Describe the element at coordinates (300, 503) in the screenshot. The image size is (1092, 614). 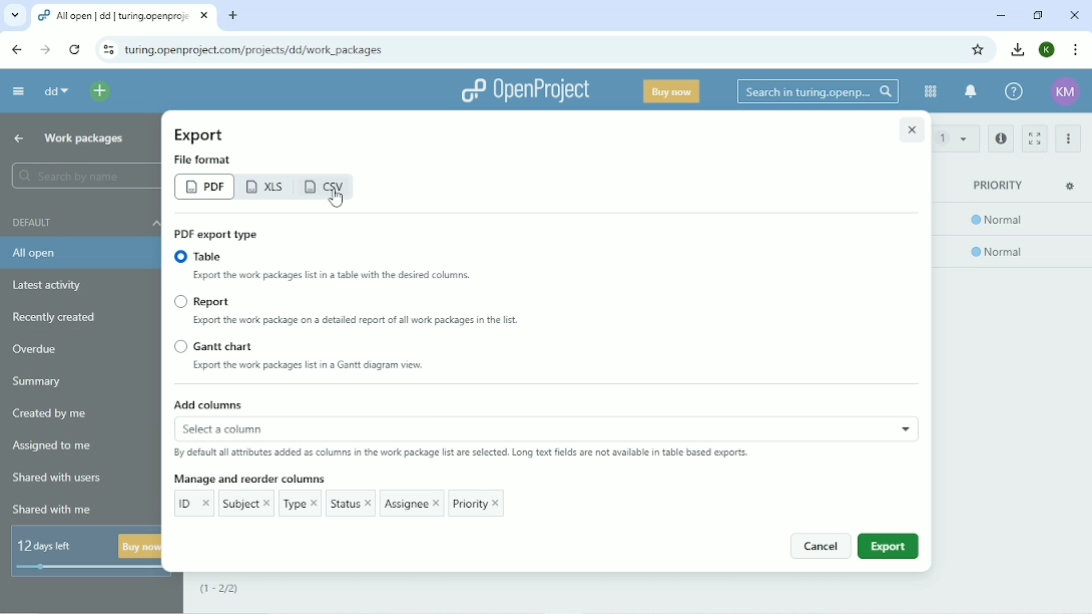
I see `Type` at that location.